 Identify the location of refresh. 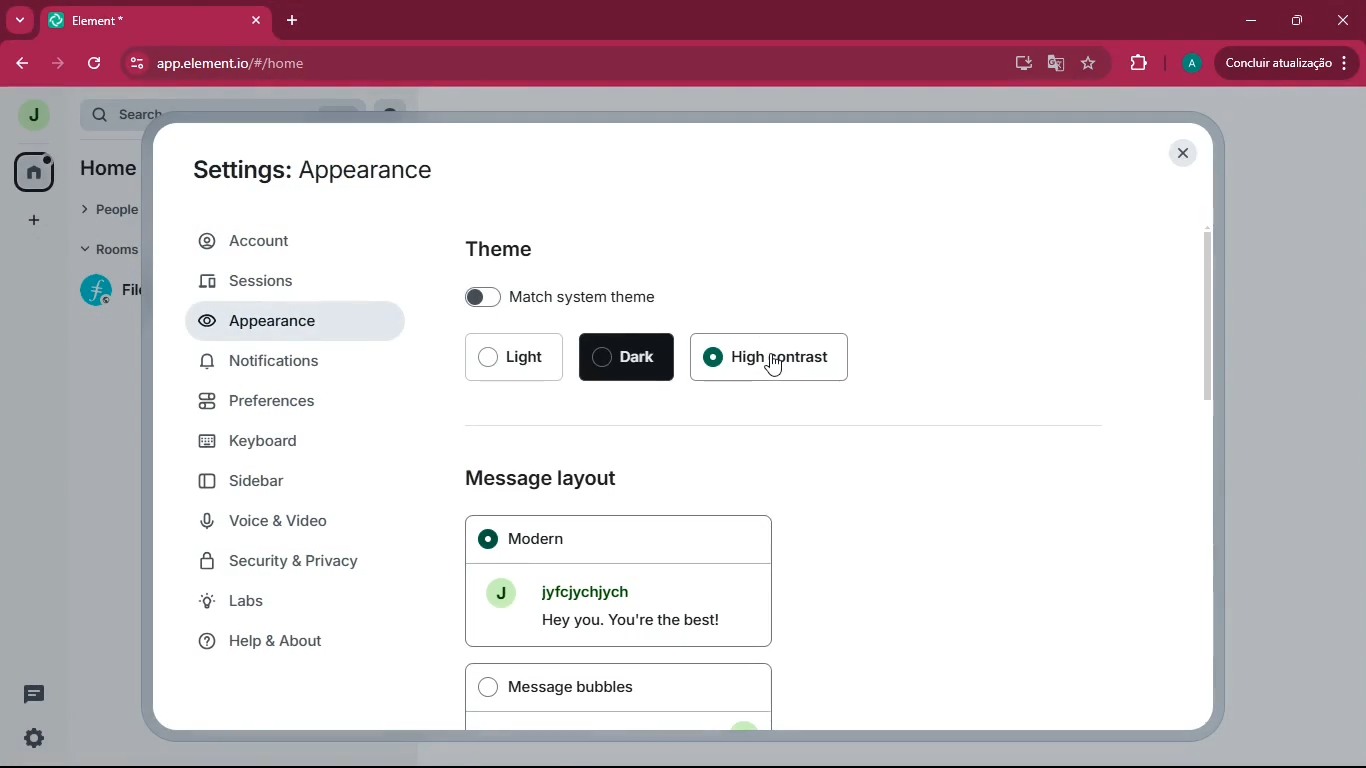
(96, 65).